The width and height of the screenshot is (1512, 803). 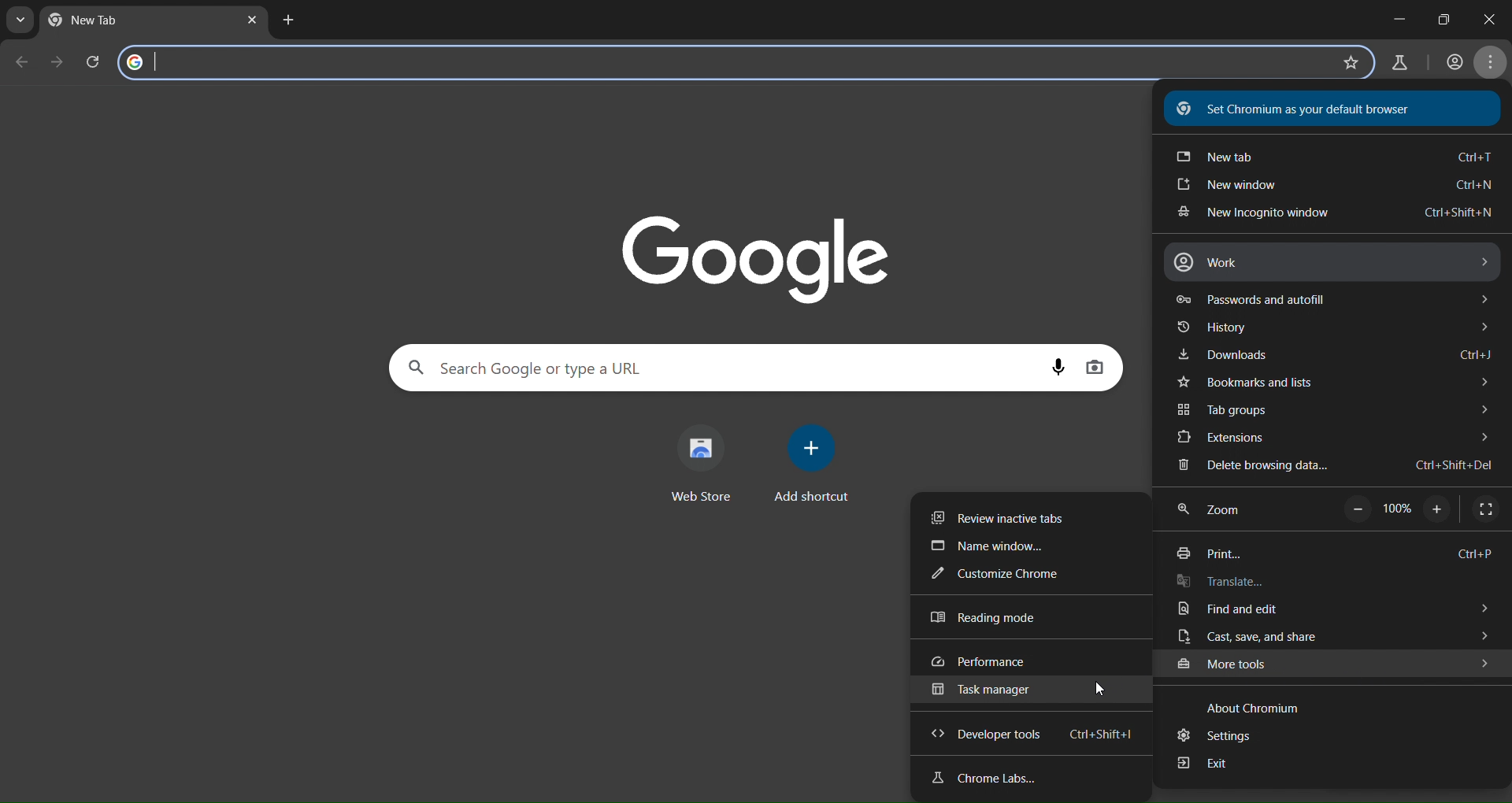 What do you see at coordinates (1333, 154) in the screenshot?
I see `new tab` at bounding box center [1333, 154].